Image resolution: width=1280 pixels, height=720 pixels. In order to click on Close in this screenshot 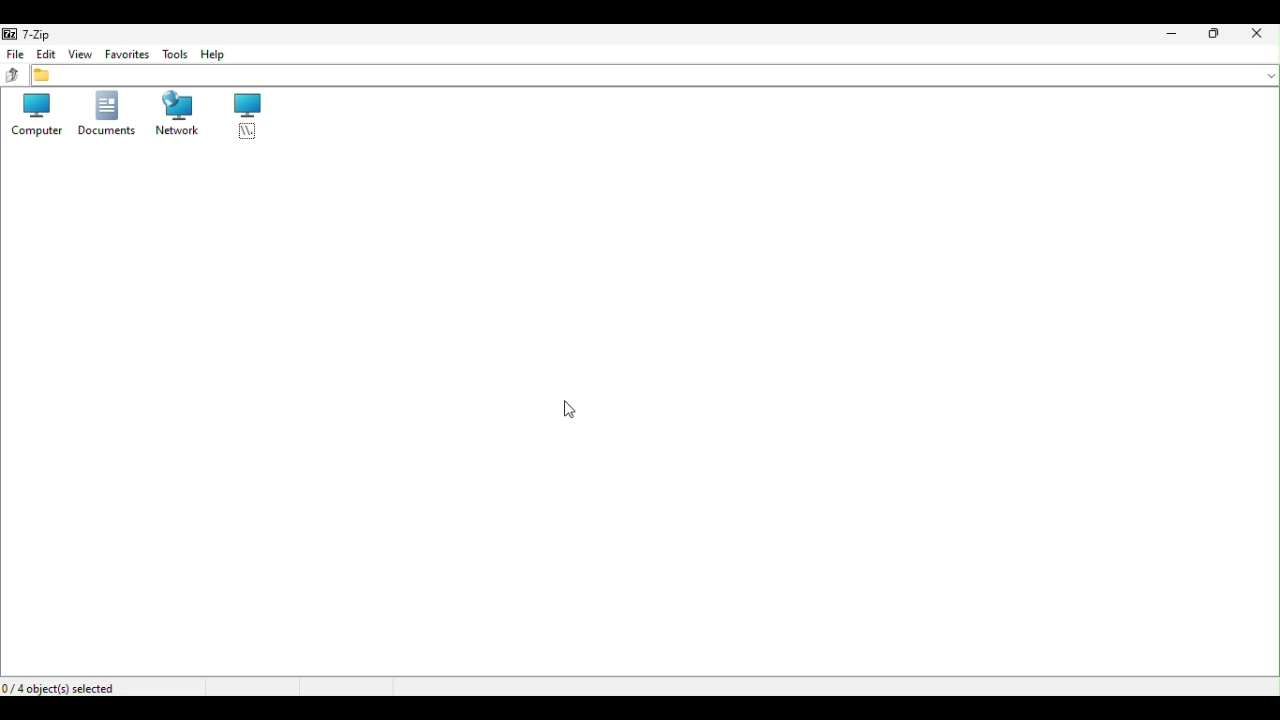, I will do `click(1261, 33)`.